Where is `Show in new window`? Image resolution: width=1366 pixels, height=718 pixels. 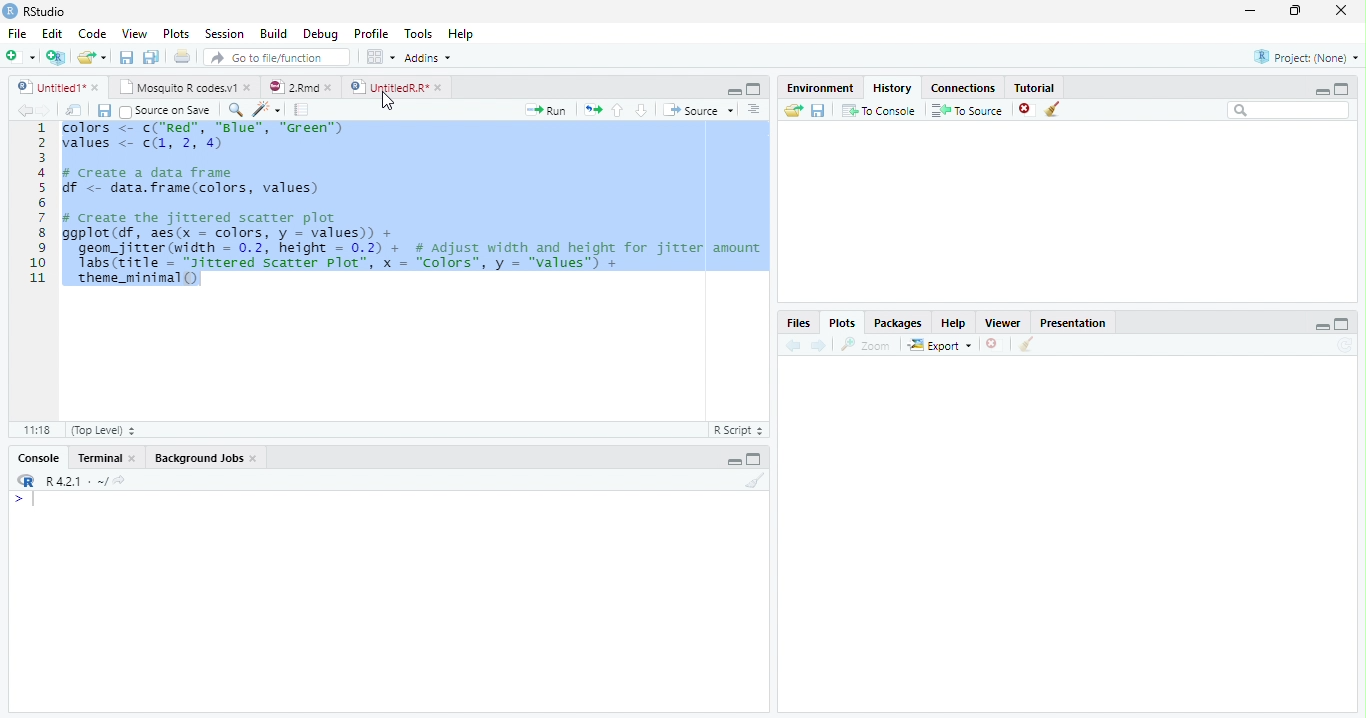
Show in new window is located at coordinates (73, 111).